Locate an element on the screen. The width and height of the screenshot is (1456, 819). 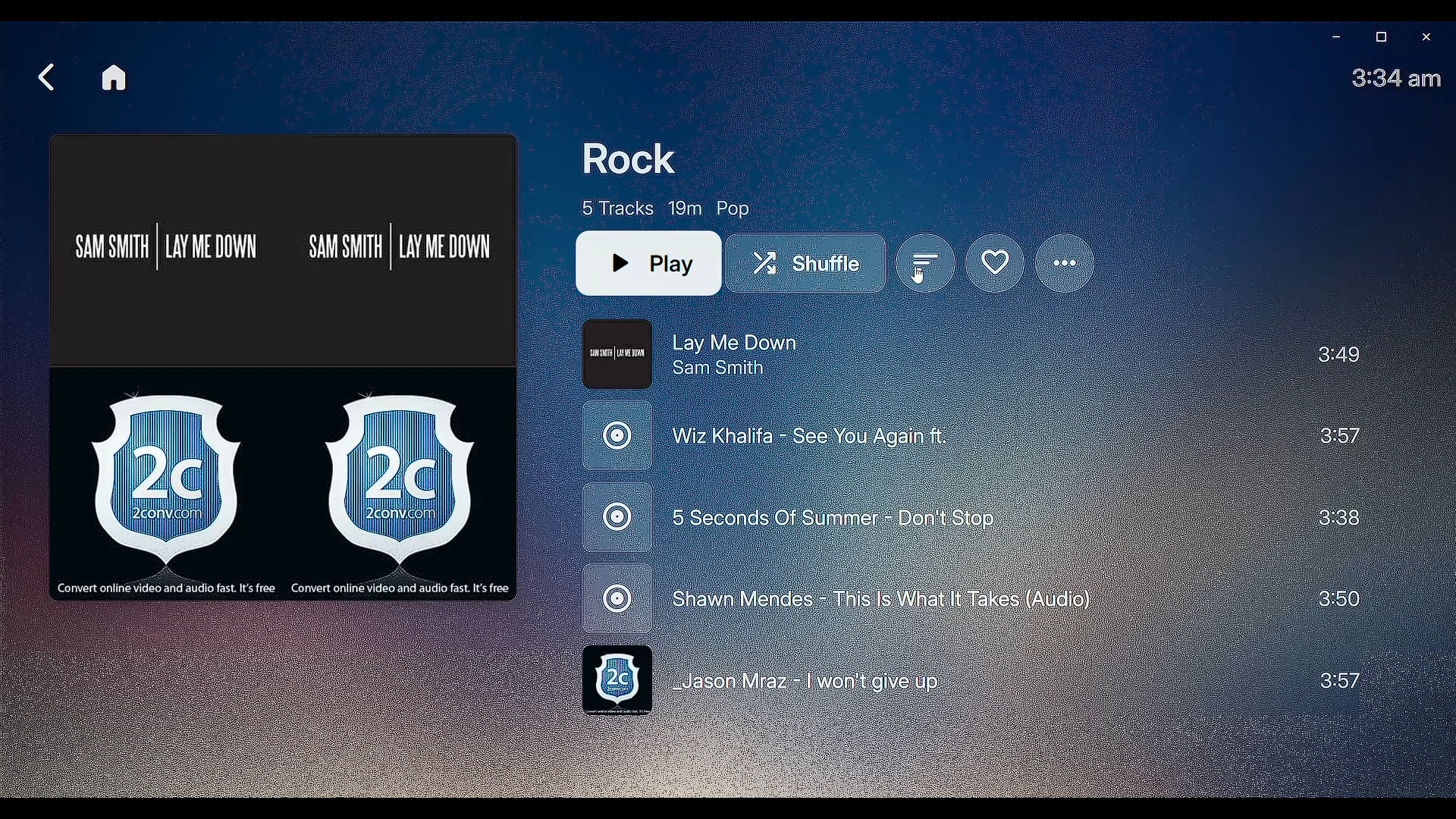
Sort by is located at coordinates (927, 266).